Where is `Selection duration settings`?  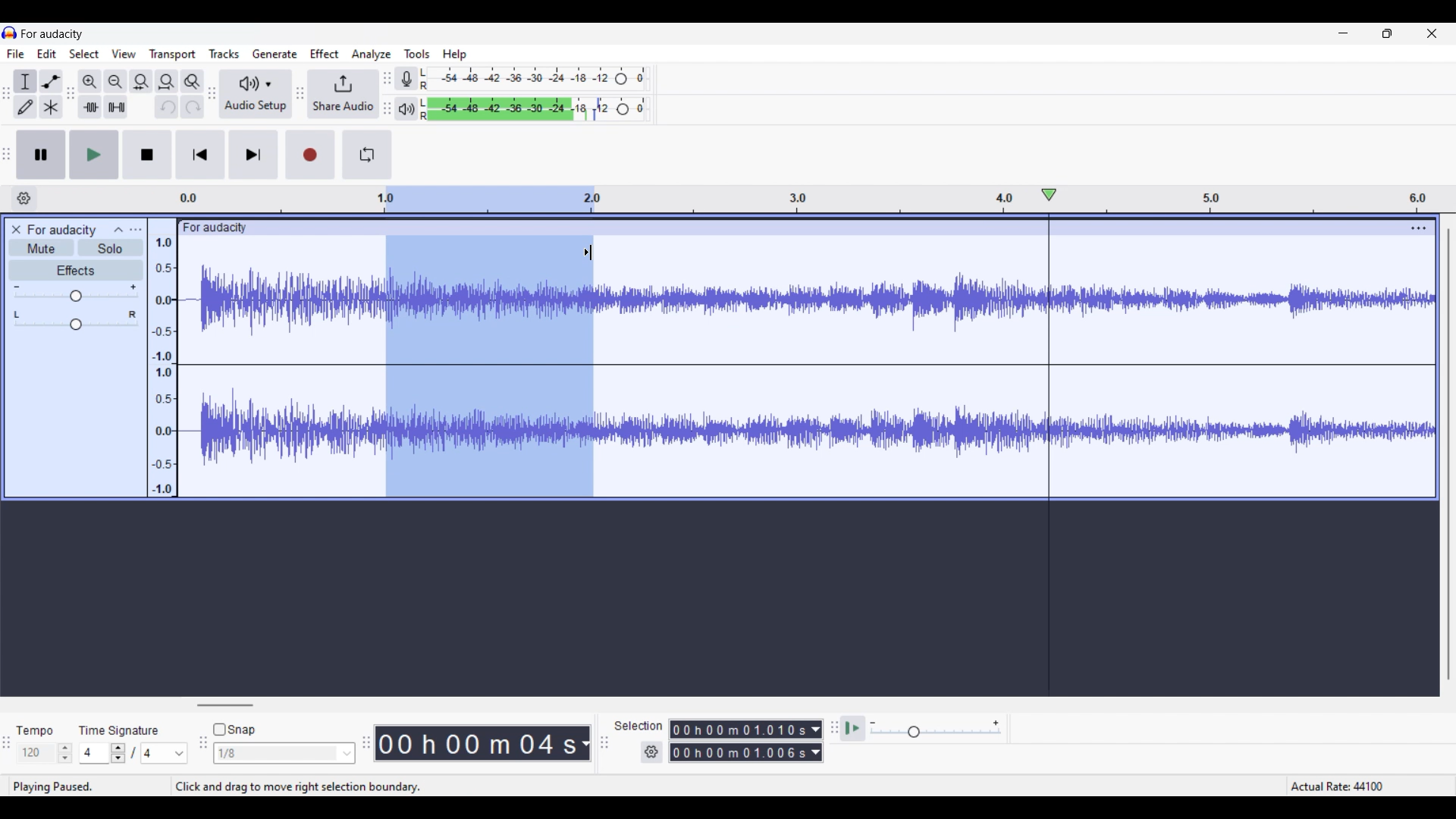 Selection duration settings is located at coordinates (651, 752).